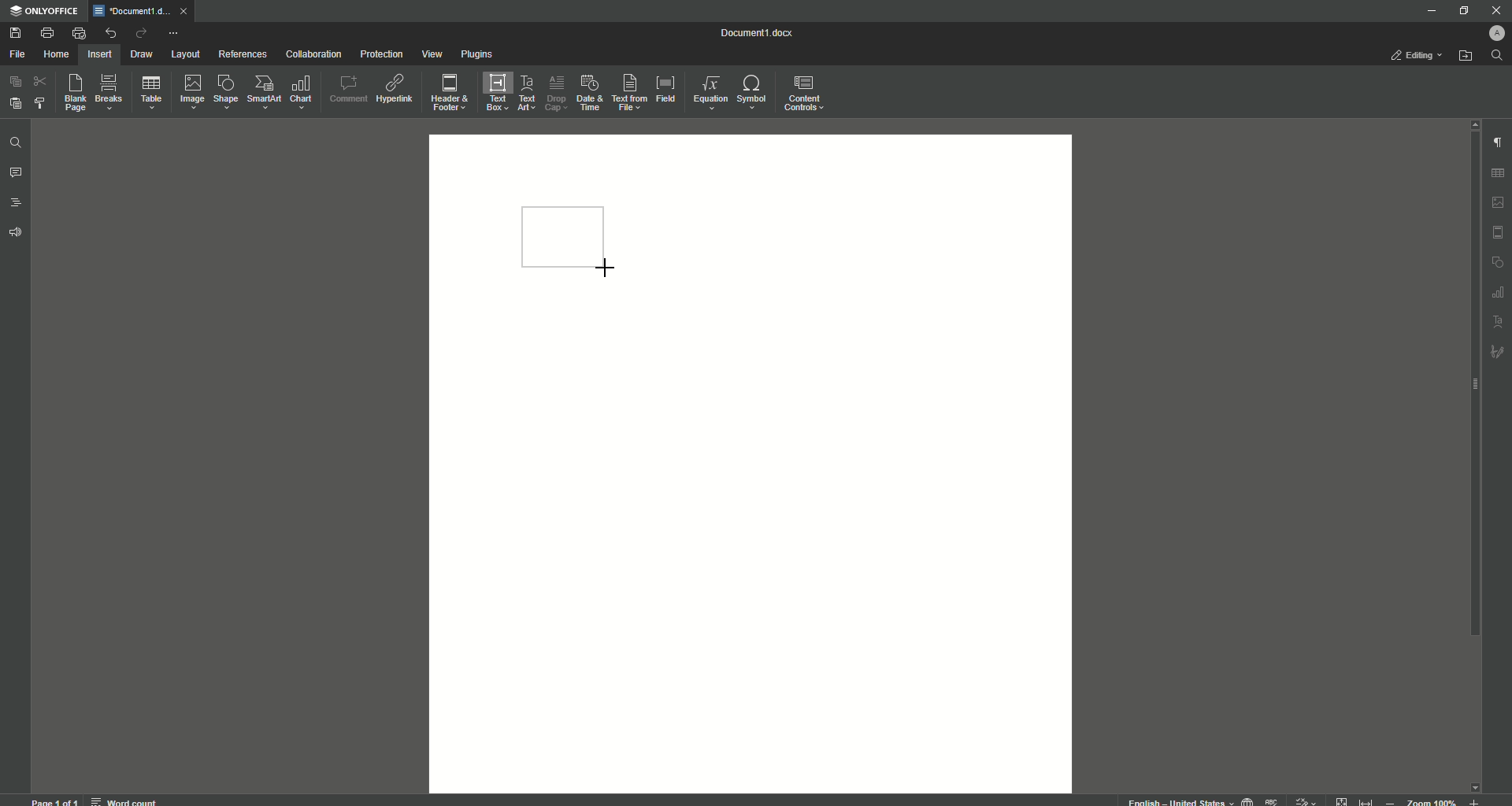 Image resolution: width=1512 pixels, height=806 pixels. Describe the element at coordinates (627, 91) in the screenshot. I see `Text From File` at that location.